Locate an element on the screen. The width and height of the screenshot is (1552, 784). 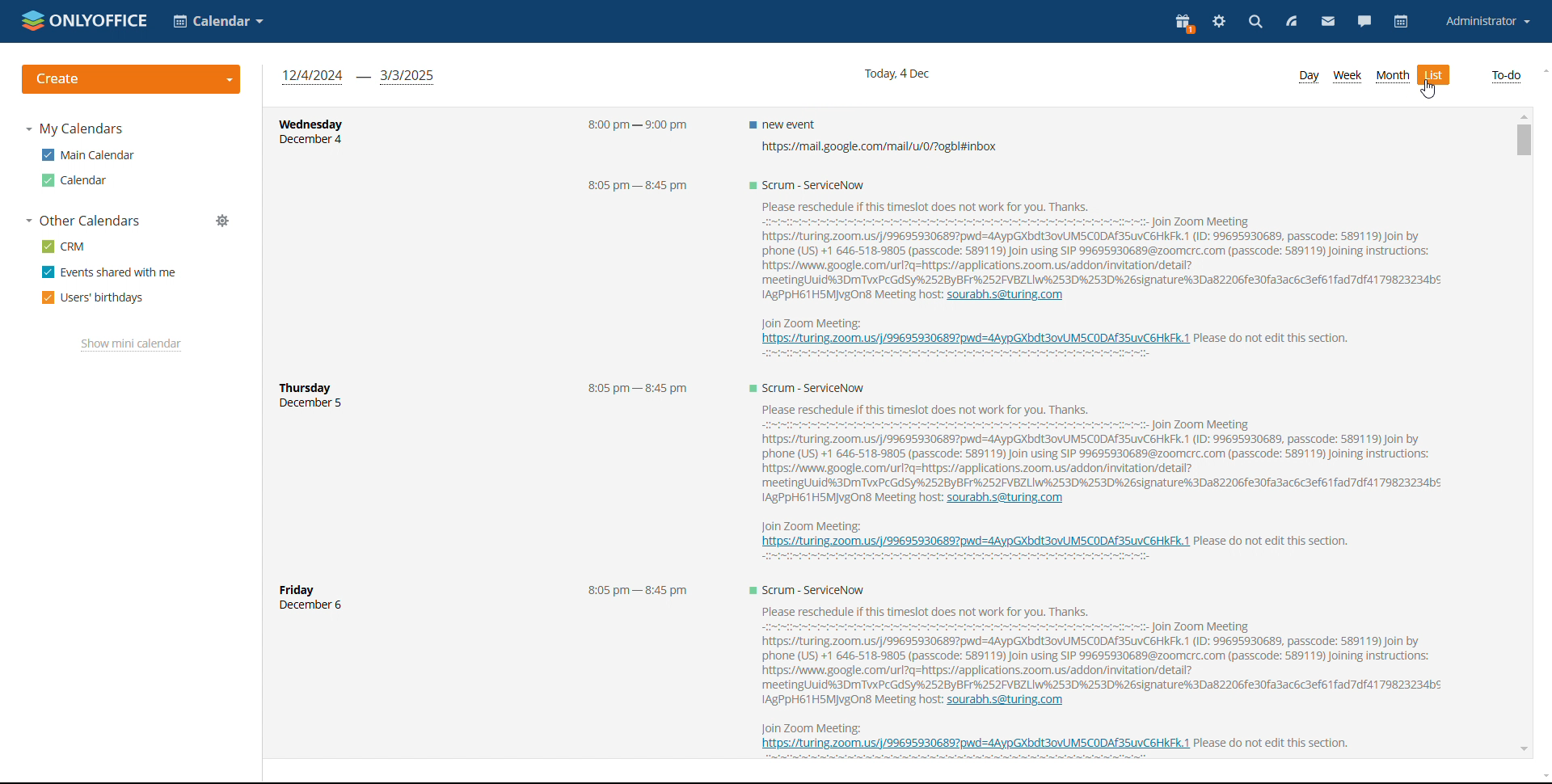
join Zoom Meeting: is located at coordinates (816, 727).